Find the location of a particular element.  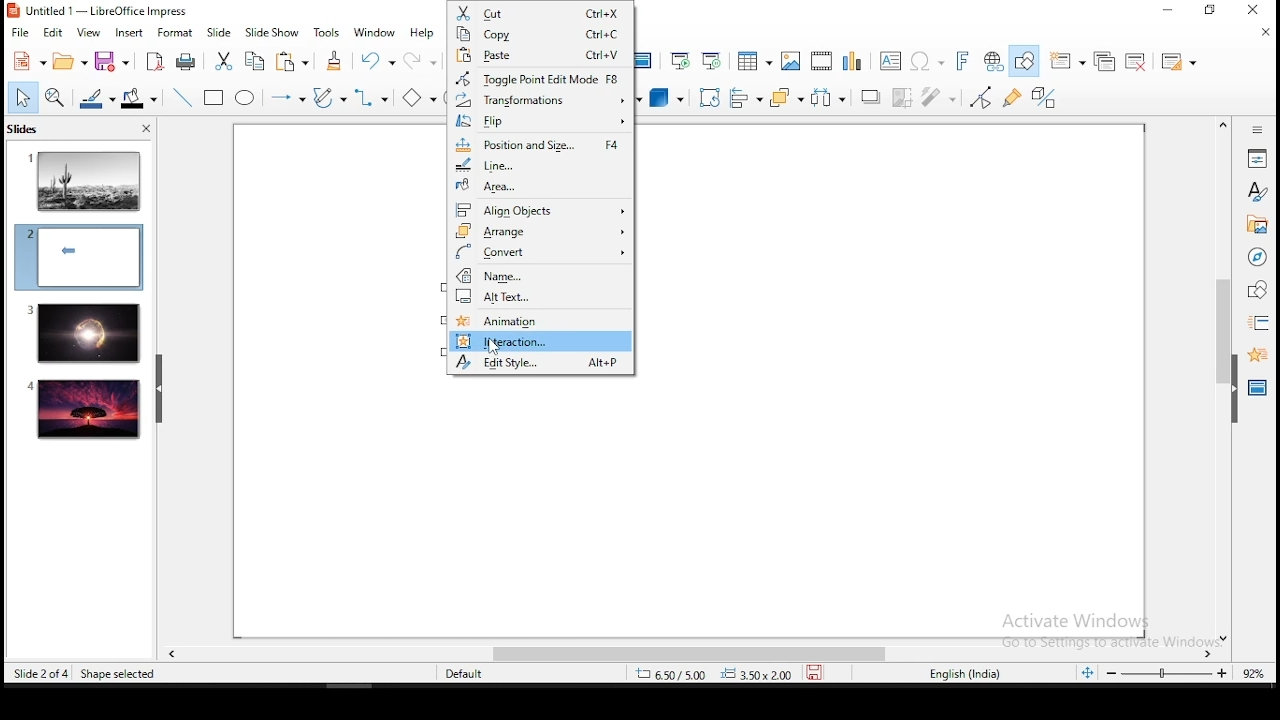

mouse pointer is located at coordinates (492, 348).